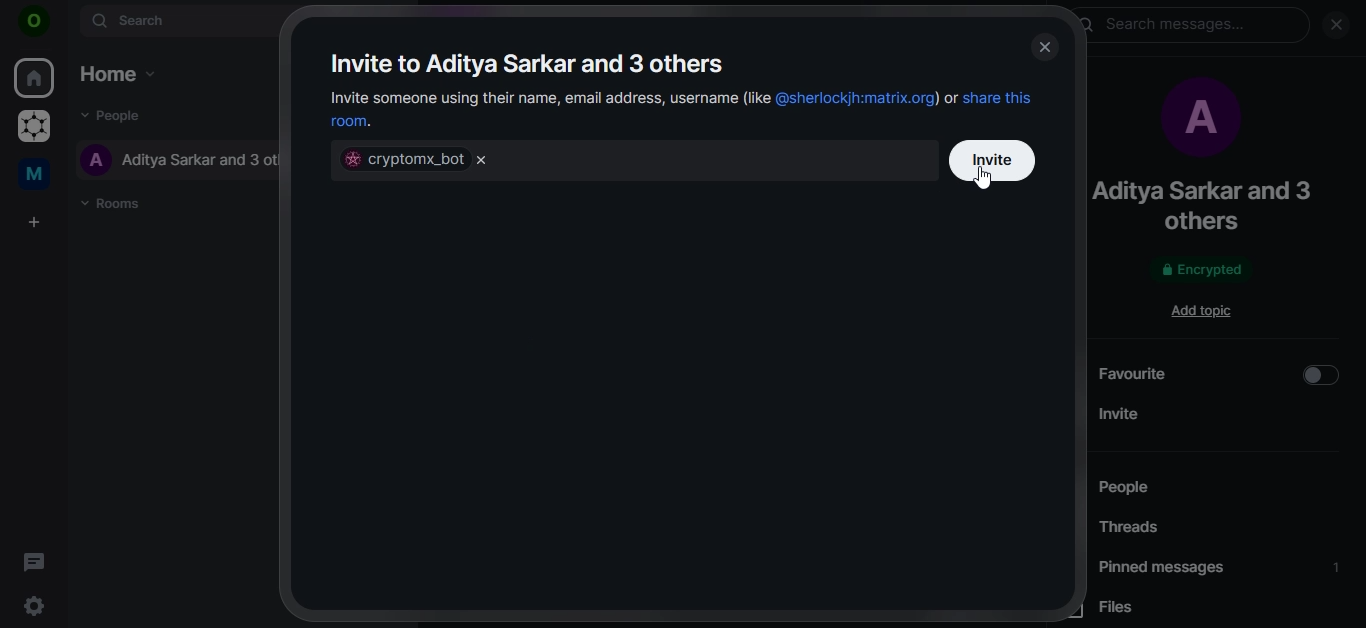 This screenshot has height=628, width=1366. What do you see at coordinates (1220, 567) in the screenshot?
I see `pinned messages` at bounding box center [1220, 567].